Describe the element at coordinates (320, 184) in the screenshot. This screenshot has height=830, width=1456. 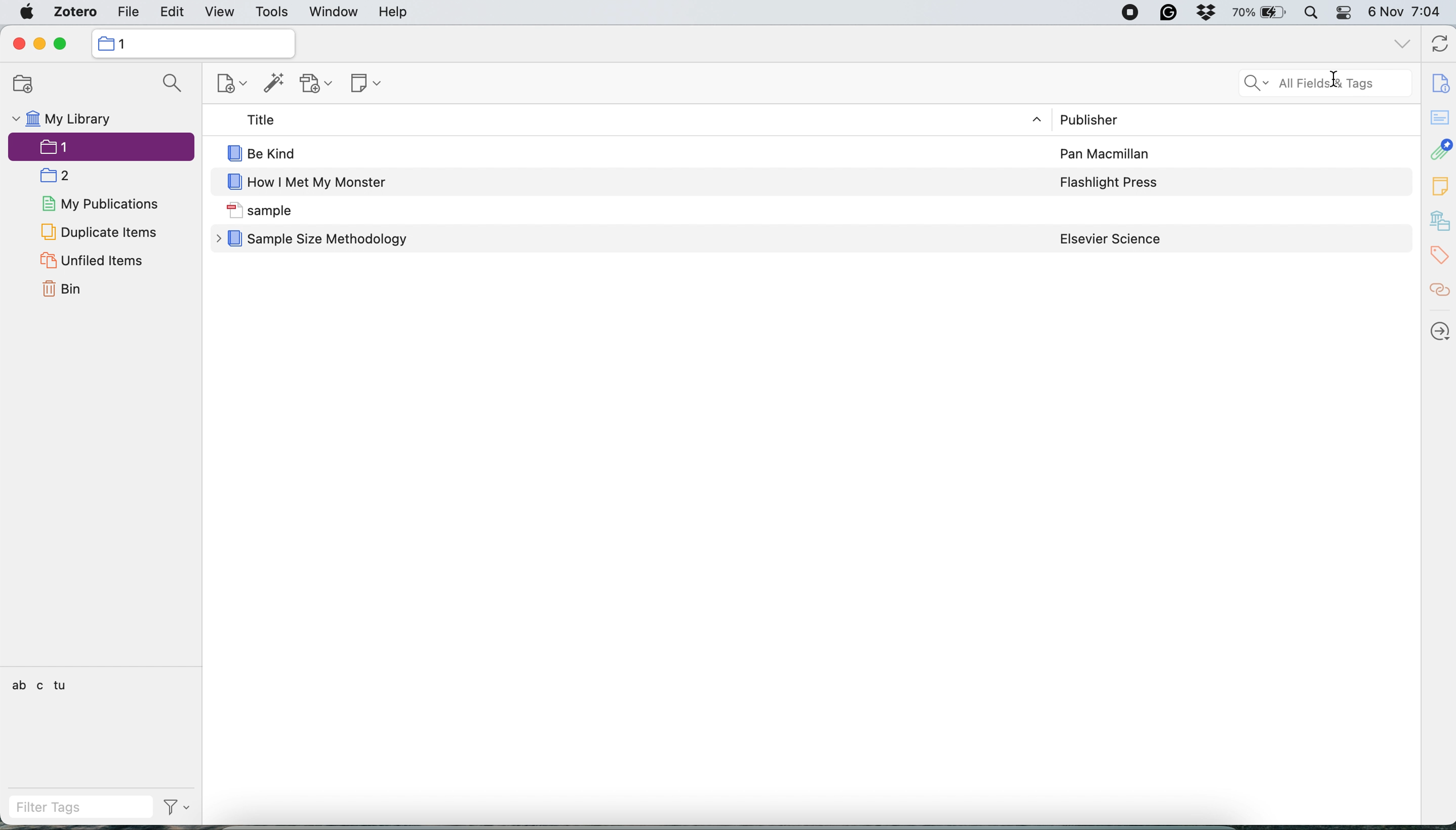
I see `How | Met My Monster` at that location.